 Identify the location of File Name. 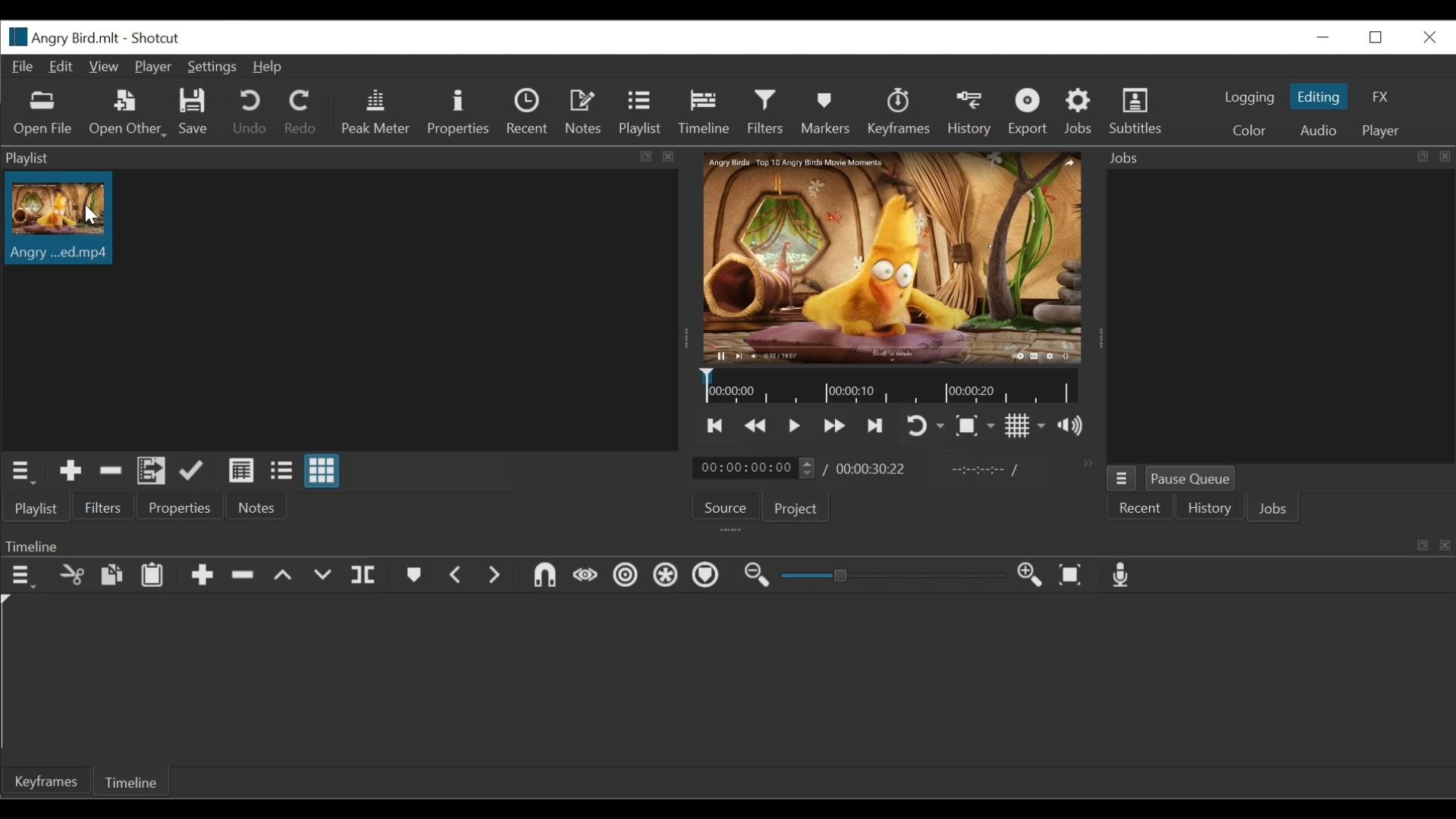
(60, 36).